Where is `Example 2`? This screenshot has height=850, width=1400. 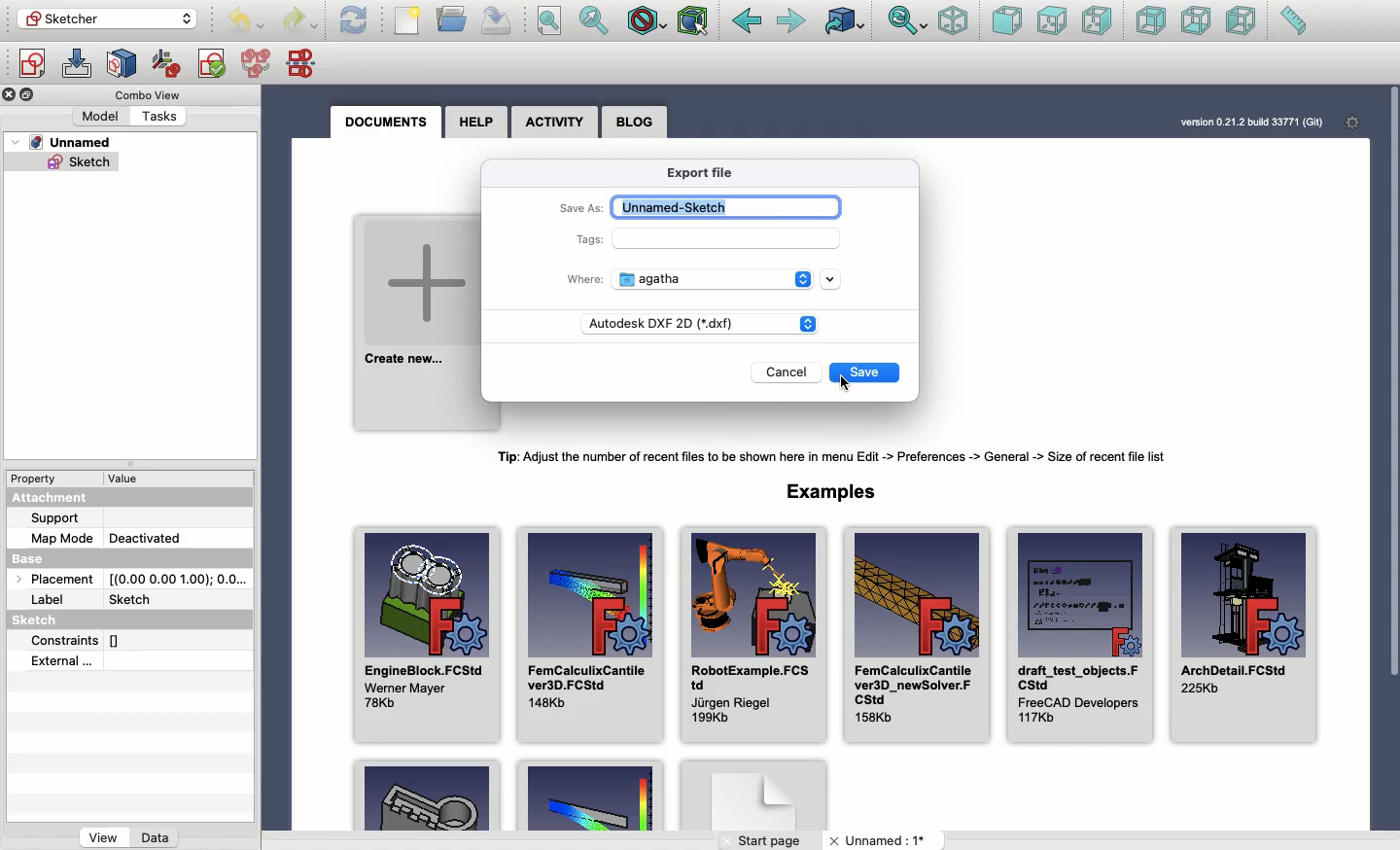 Example 2 is located at coordinates (588, 797).